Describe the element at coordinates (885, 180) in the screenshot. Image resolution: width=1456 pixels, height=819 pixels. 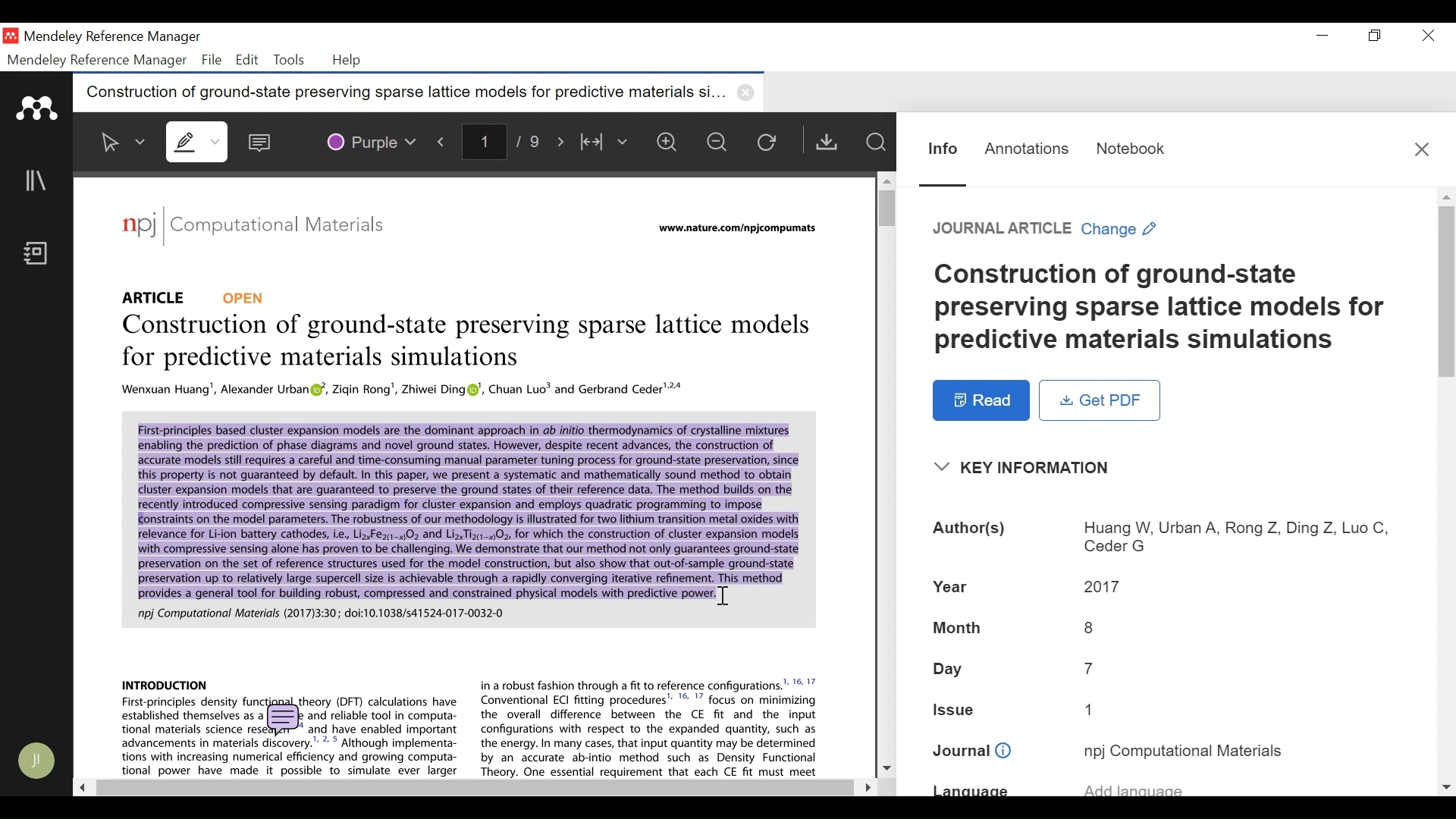
I see `Scroll up` at that location.